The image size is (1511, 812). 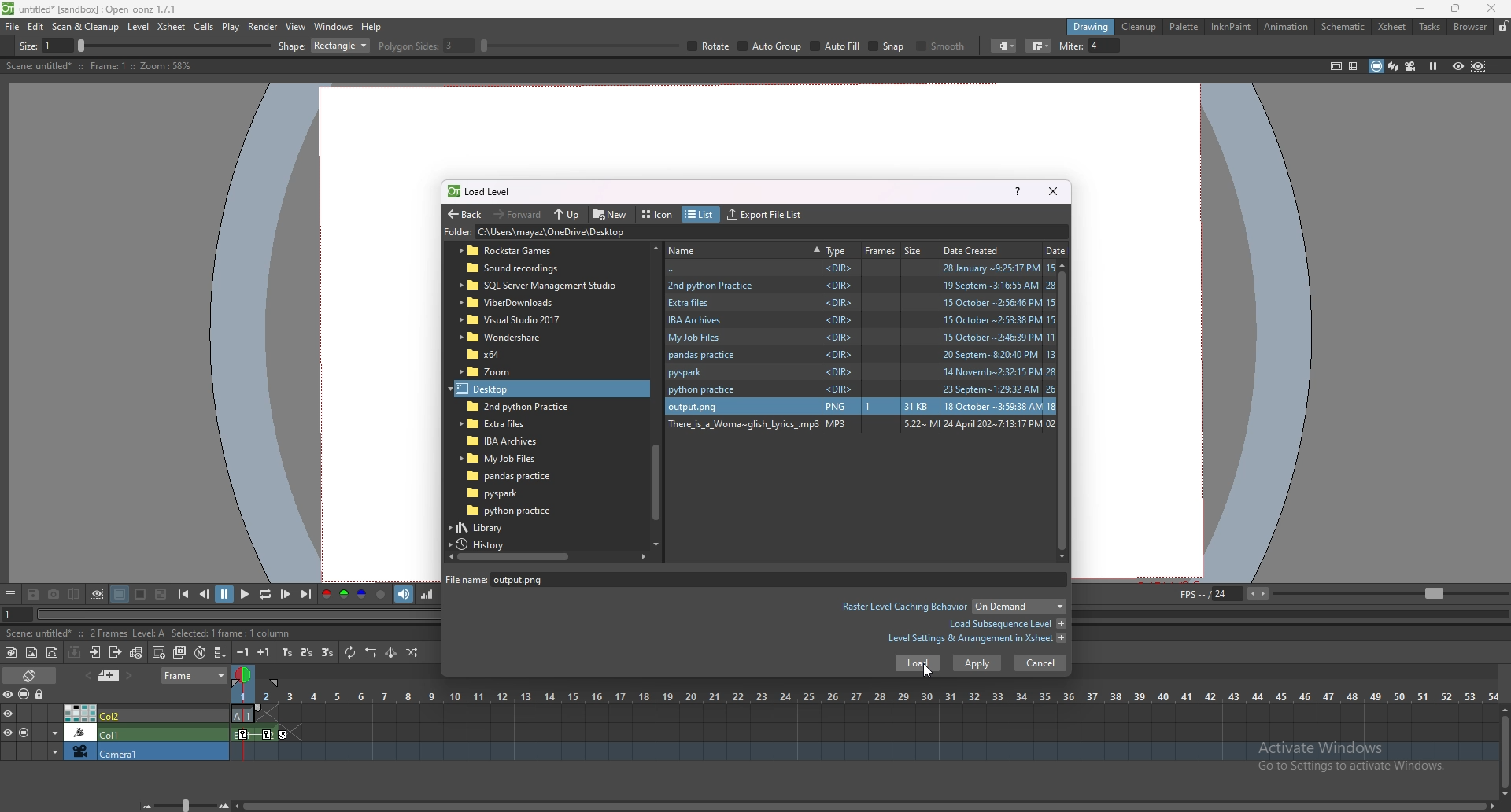 What do you see at coordinates (264, 27) in the screenshot?
I see `render` at bounding box center [264, 27].